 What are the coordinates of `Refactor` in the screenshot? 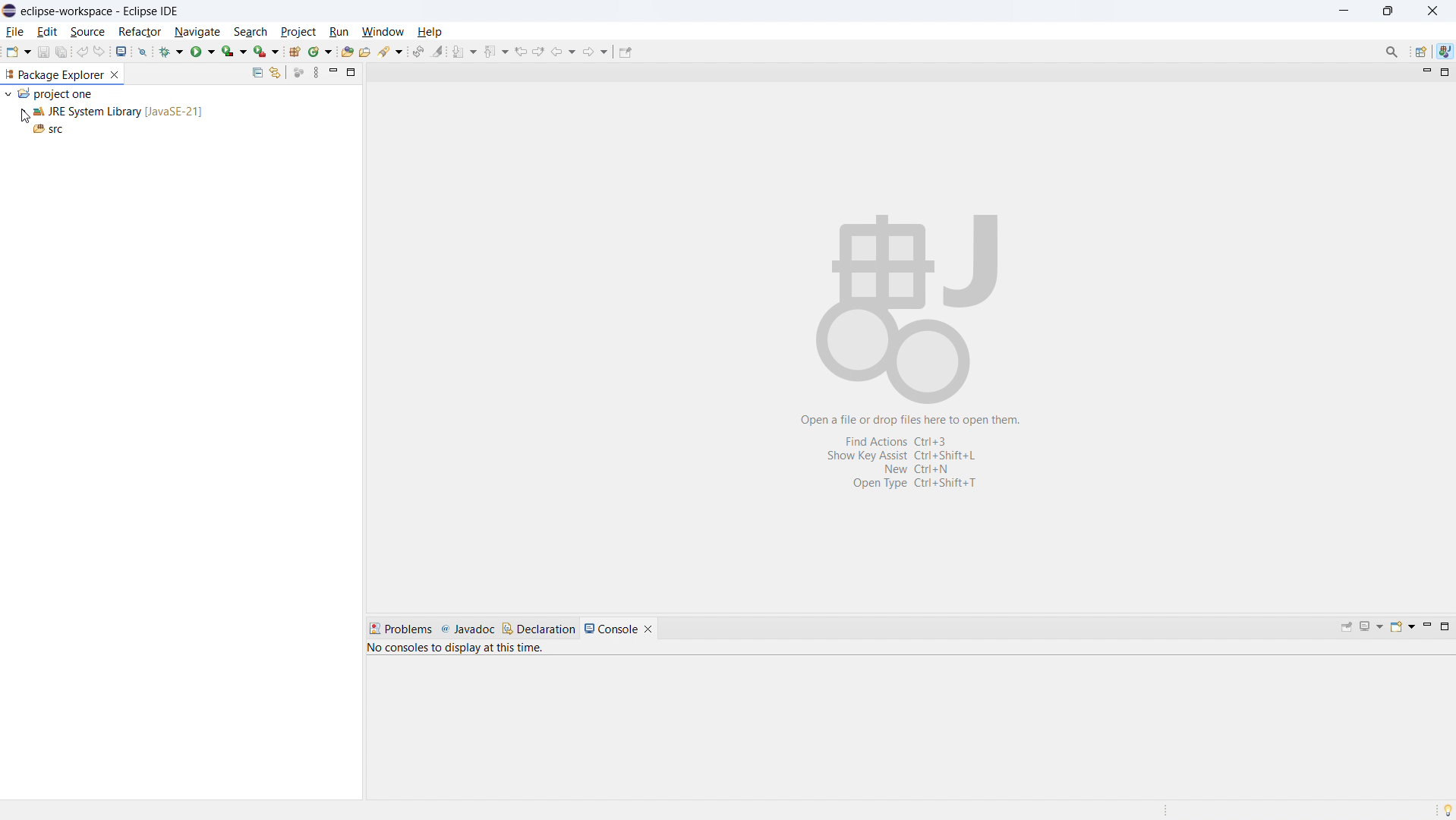 It's located at (140, 32).